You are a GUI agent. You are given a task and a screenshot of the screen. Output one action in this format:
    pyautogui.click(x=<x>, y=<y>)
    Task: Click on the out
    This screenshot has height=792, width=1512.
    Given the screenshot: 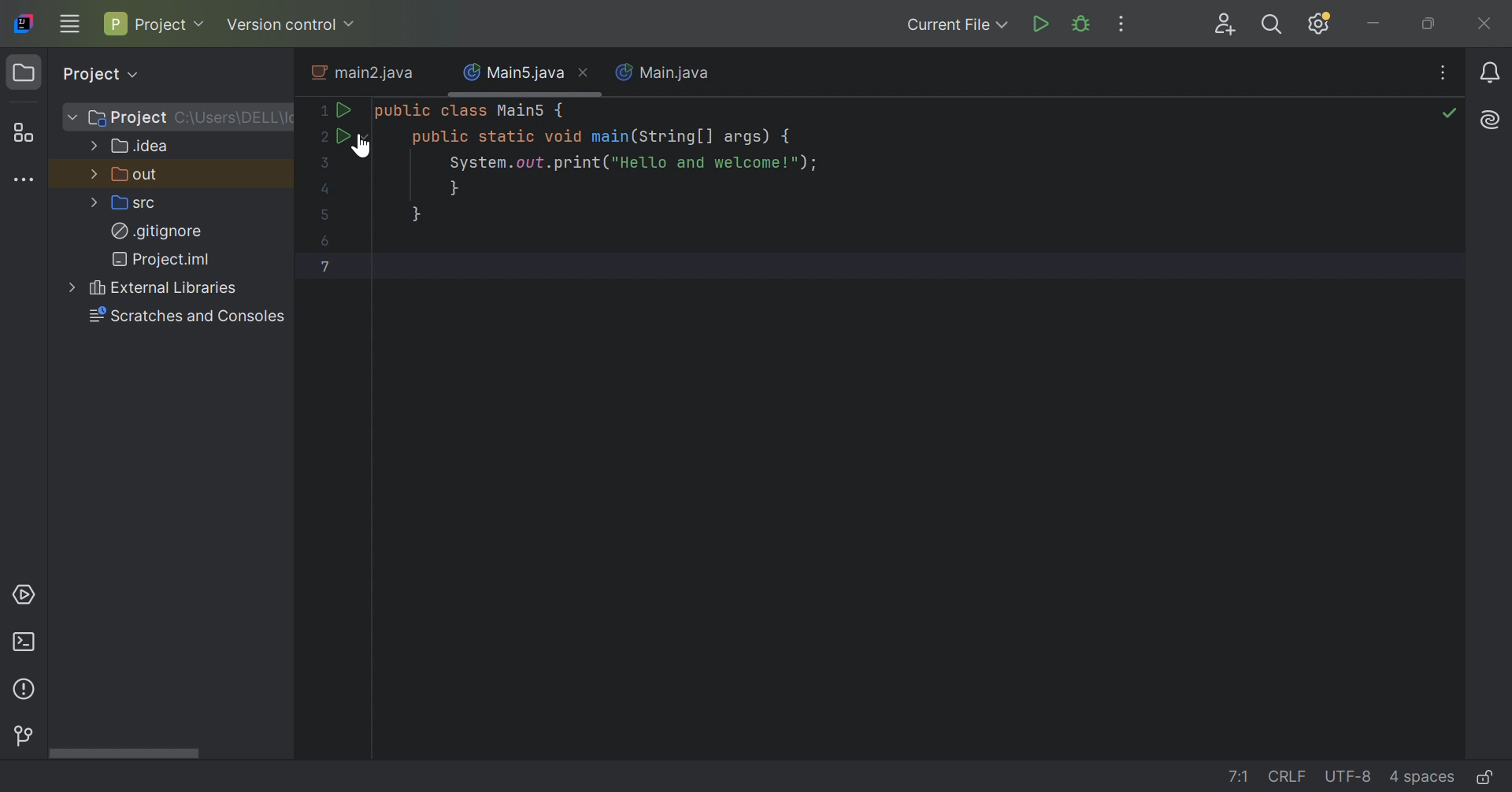 What is the action you would take?
    pyautogui.click(x=137, y=174)
    